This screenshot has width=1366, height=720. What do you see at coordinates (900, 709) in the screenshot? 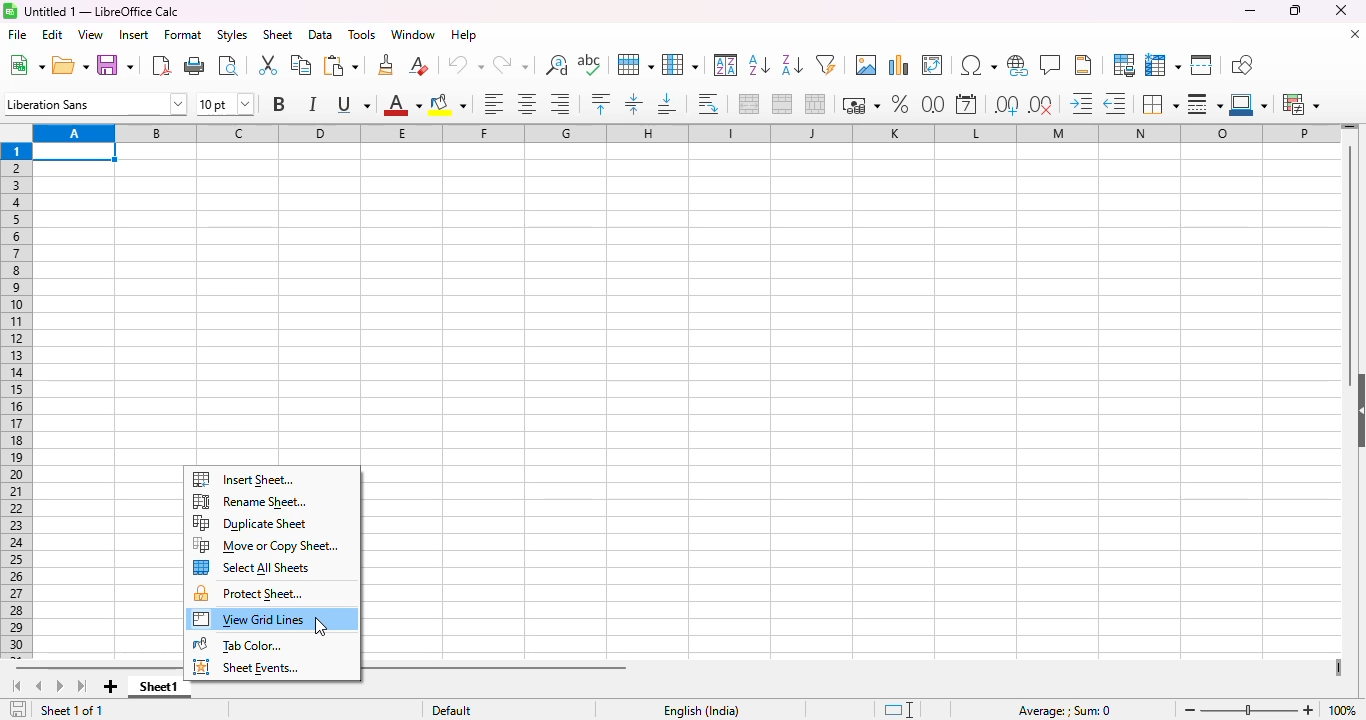
I see `standard selection` at bounding box center [900, 709].